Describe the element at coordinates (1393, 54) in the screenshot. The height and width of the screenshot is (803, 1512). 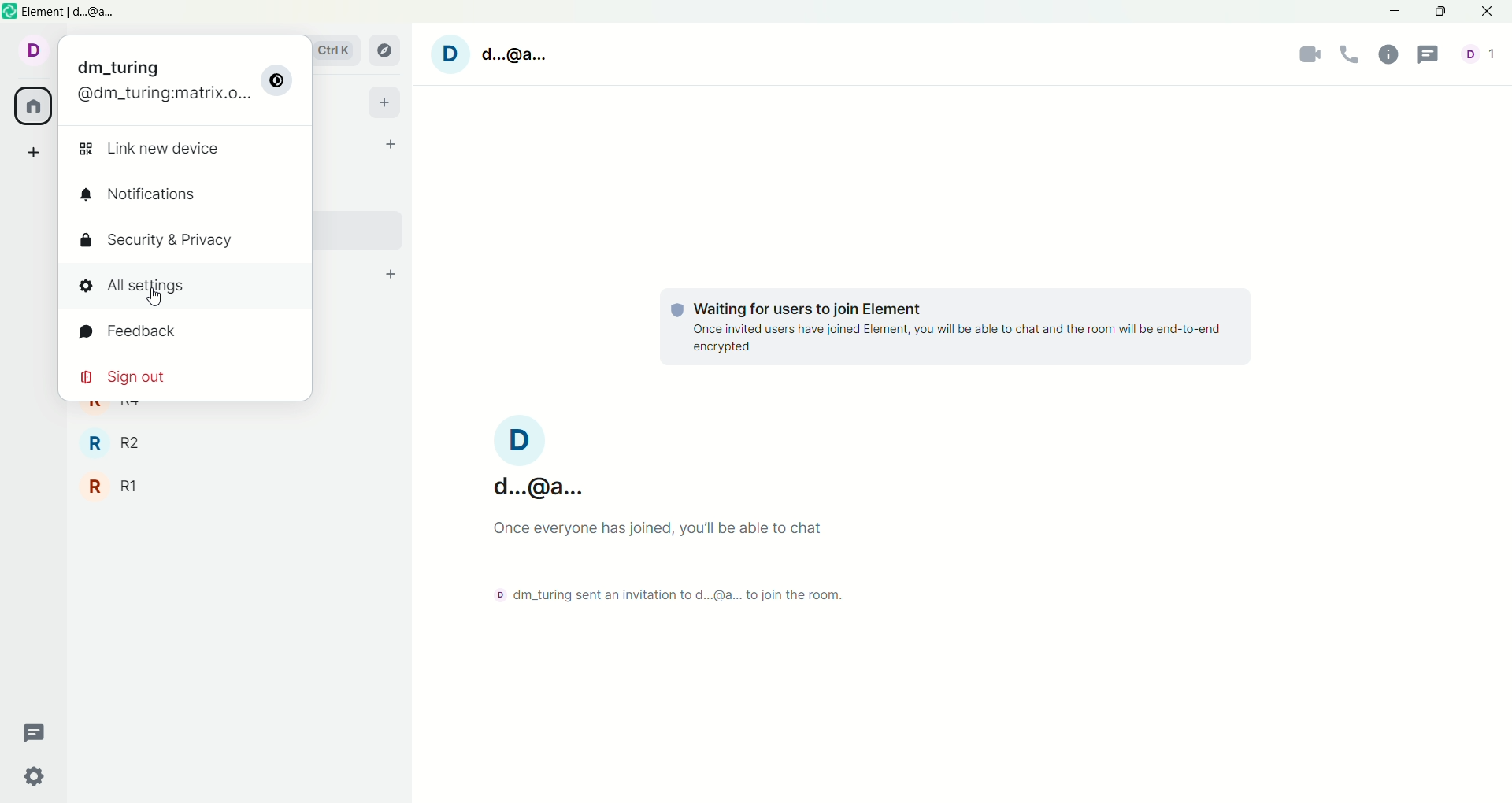
I see `room info` at that location.